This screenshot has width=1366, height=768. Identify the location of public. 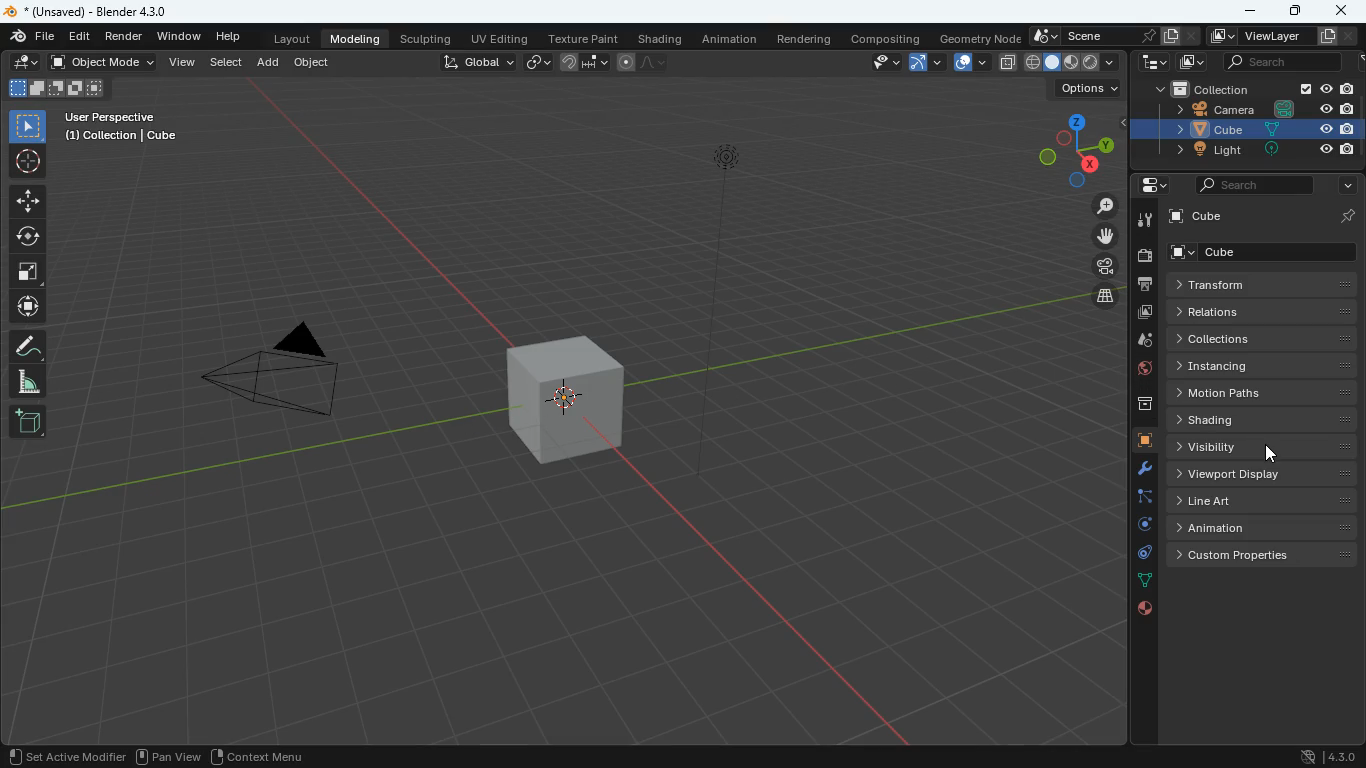
(1136, 371).